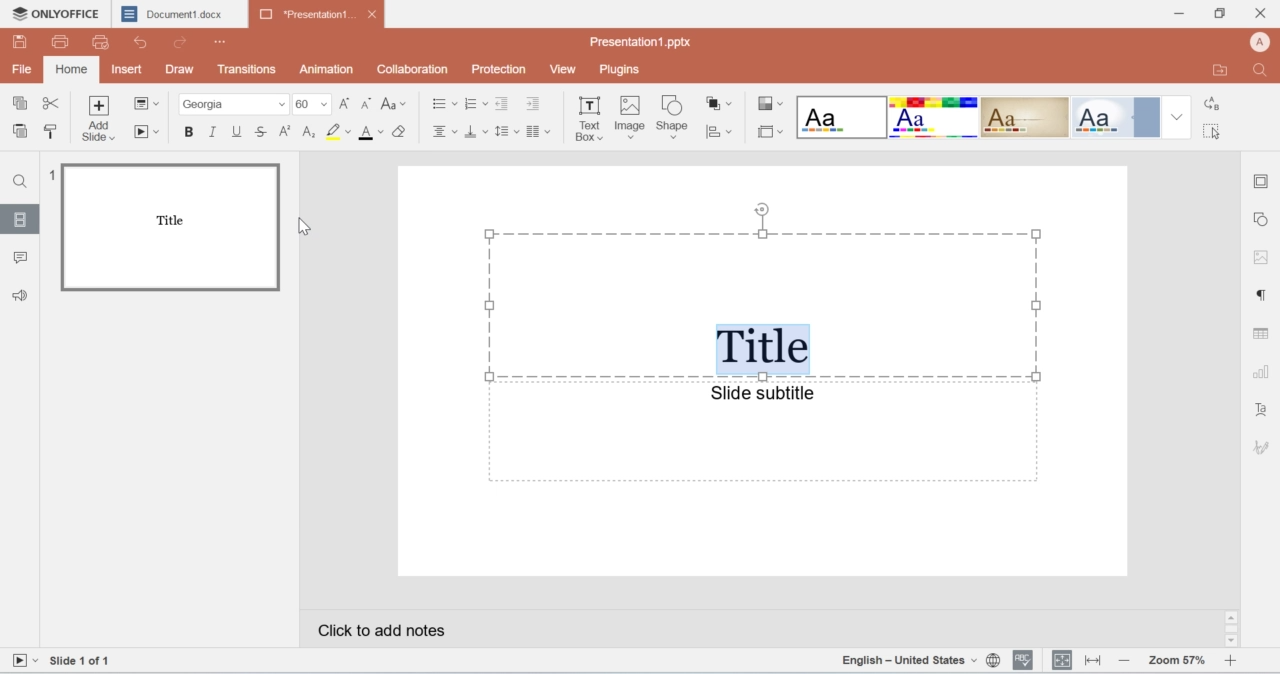 This screenshot has width=1280, height=674. Describe the element at coordinates (54, 13) in the screenshot. I see `logo` at that location.